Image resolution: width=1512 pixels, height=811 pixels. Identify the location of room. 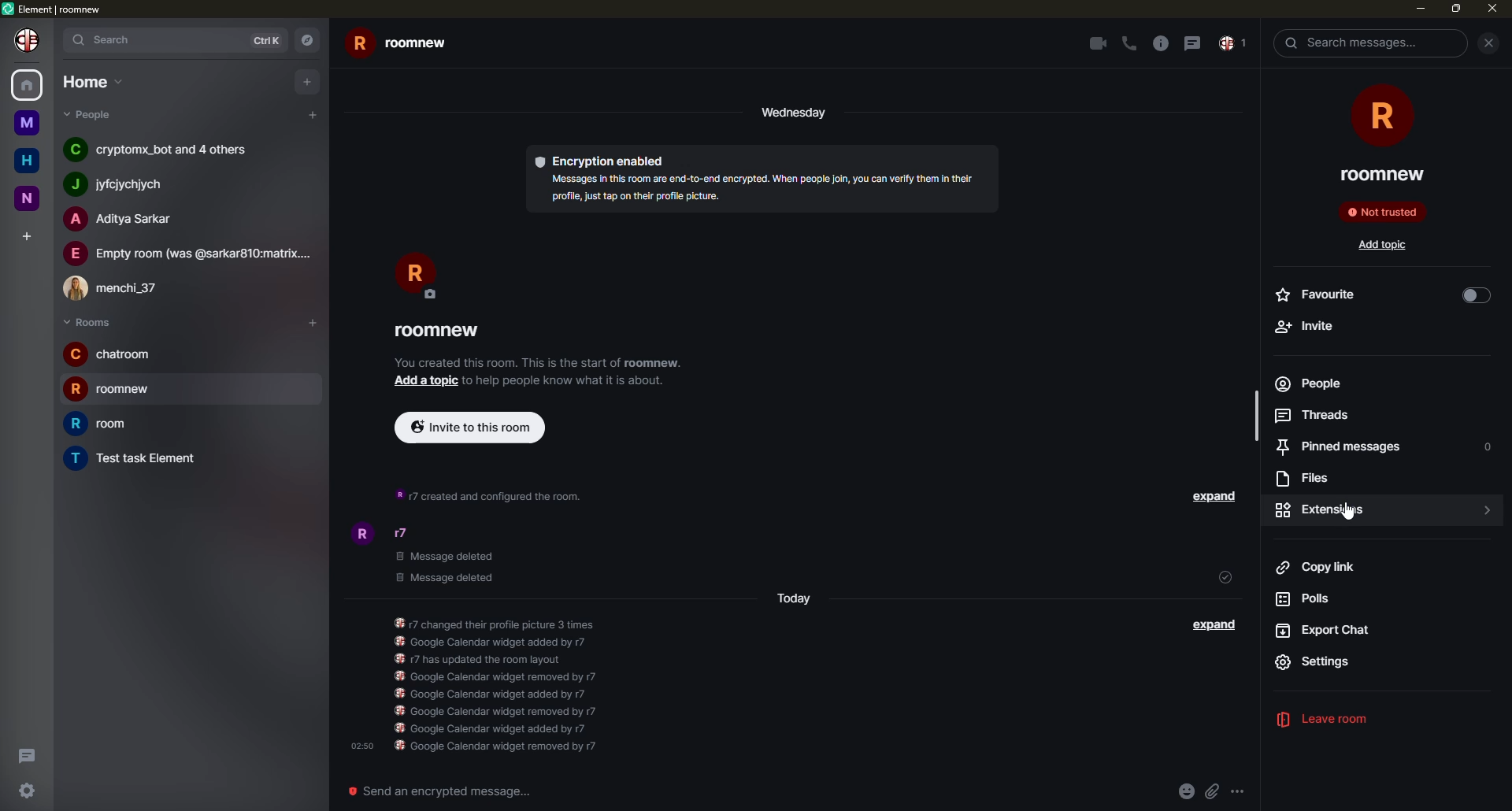
(99, 424).